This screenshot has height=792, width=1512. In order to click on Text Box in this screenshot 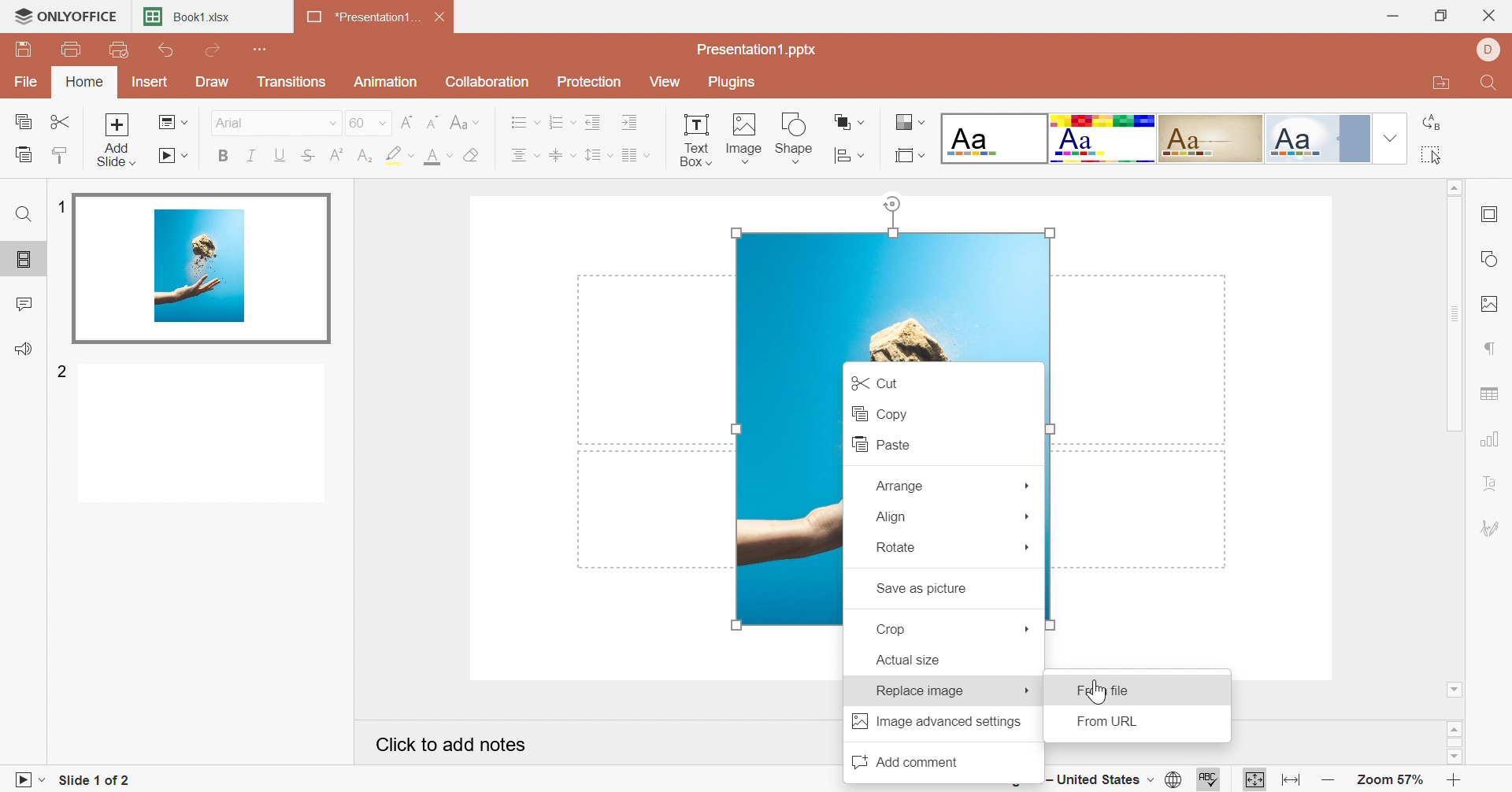, I will do `click(695, 138)`.